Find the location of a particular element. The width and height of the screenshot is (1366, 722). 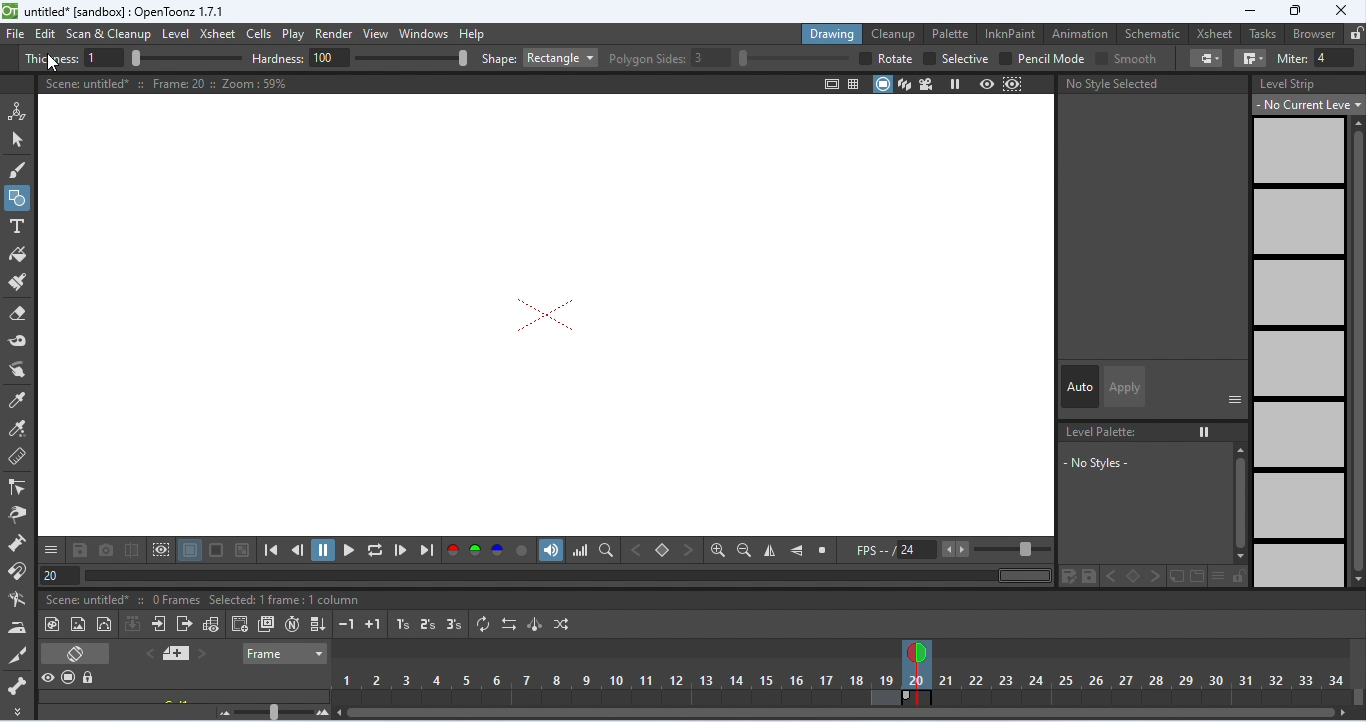

cells is located at coordinates (258, 33).